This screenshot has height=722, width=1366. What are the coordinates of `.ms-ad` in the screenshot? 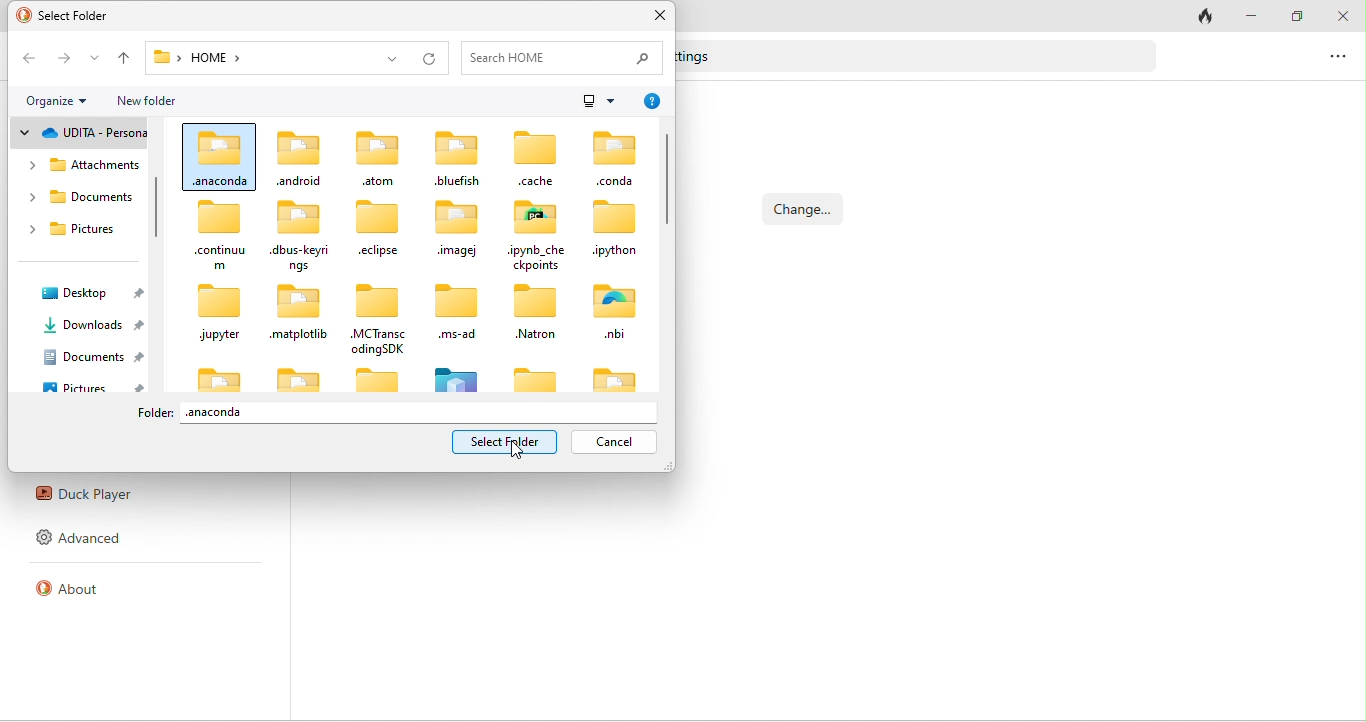 It's located at (453, 314).